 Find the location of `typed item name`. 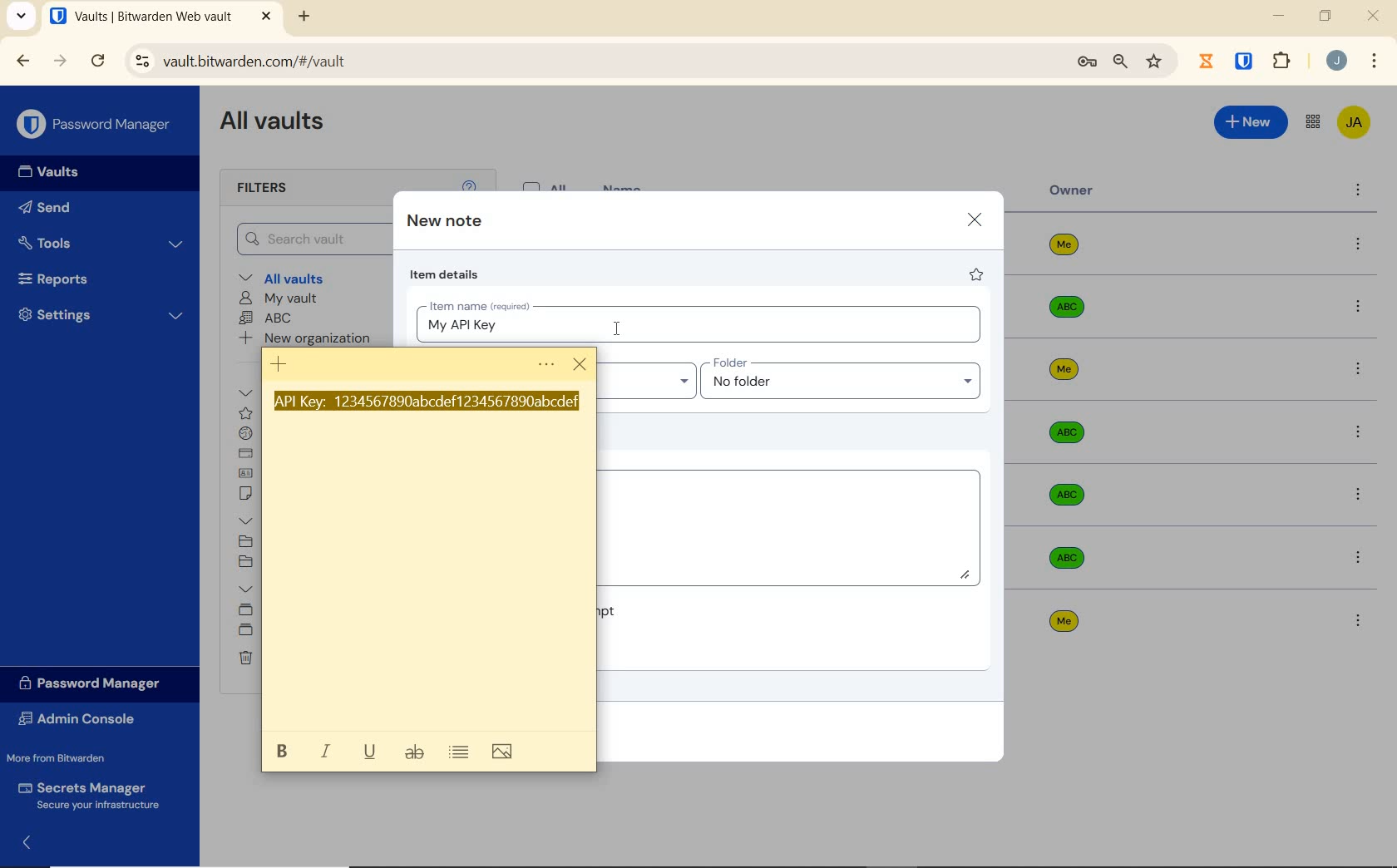

typed item name is located at coordinates (462, 326).